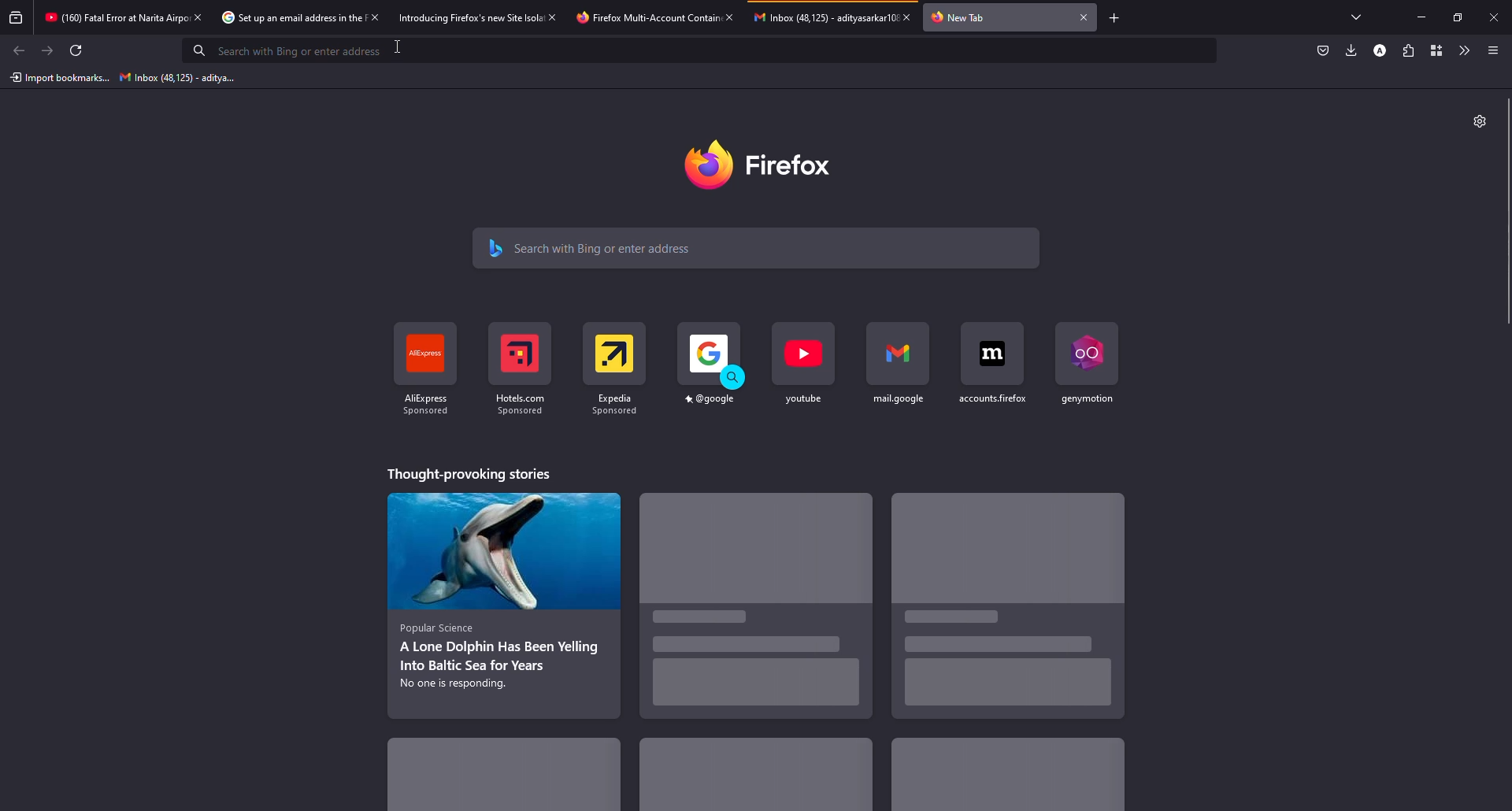 The image size is (1512, 811). I want to click on tab, so click(109, 15).